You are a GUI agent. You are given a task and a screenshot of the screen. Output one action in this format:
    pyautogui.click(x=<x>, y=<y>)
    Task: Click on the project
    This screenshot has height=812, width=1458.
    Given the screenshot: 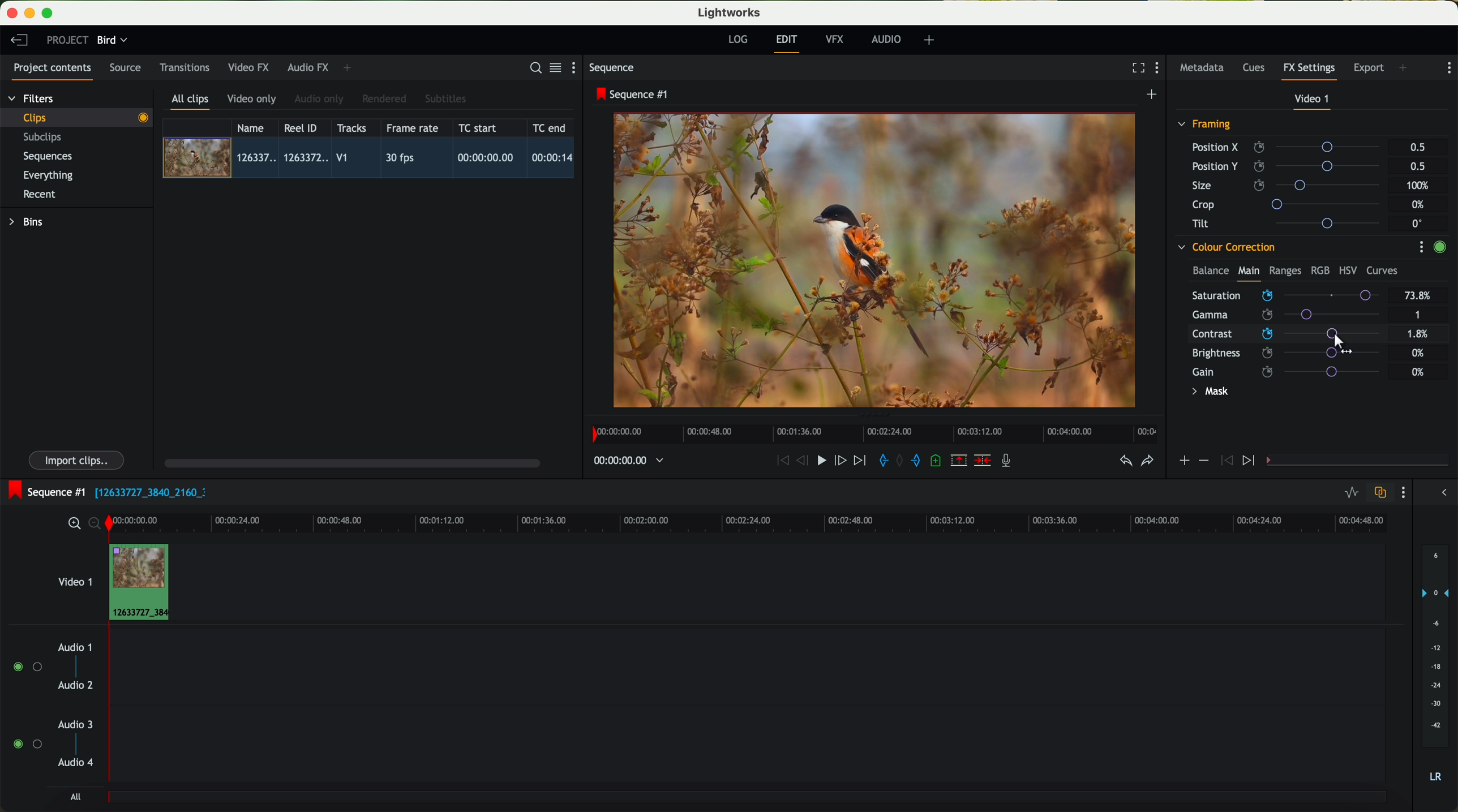 What is the action you would take?
    pyautogui.click(x=67, y=40)
    